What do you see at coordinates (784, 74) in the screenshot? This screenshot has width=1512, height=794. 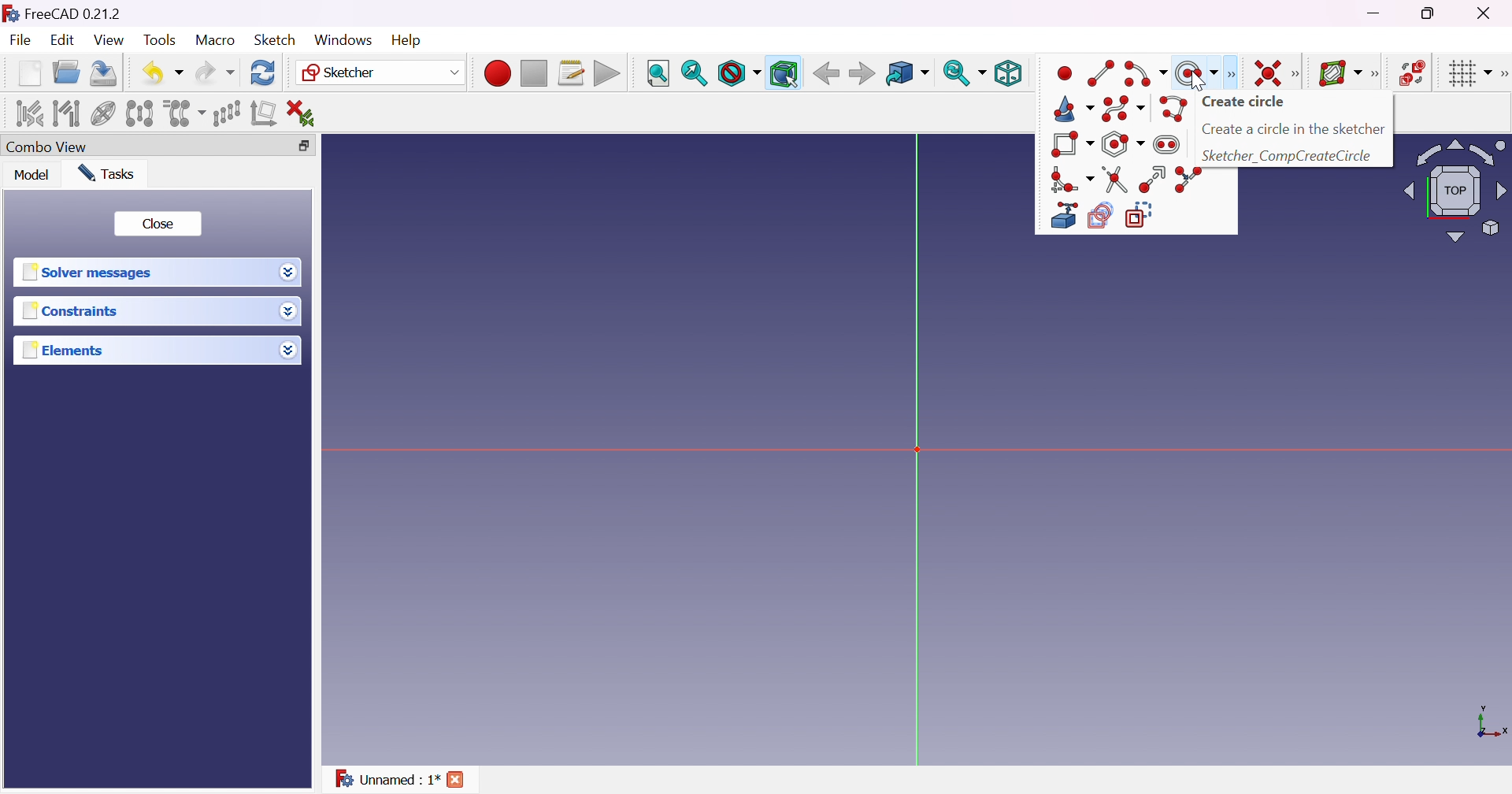 I see `Bounding box` at bounding box center [784, 74].